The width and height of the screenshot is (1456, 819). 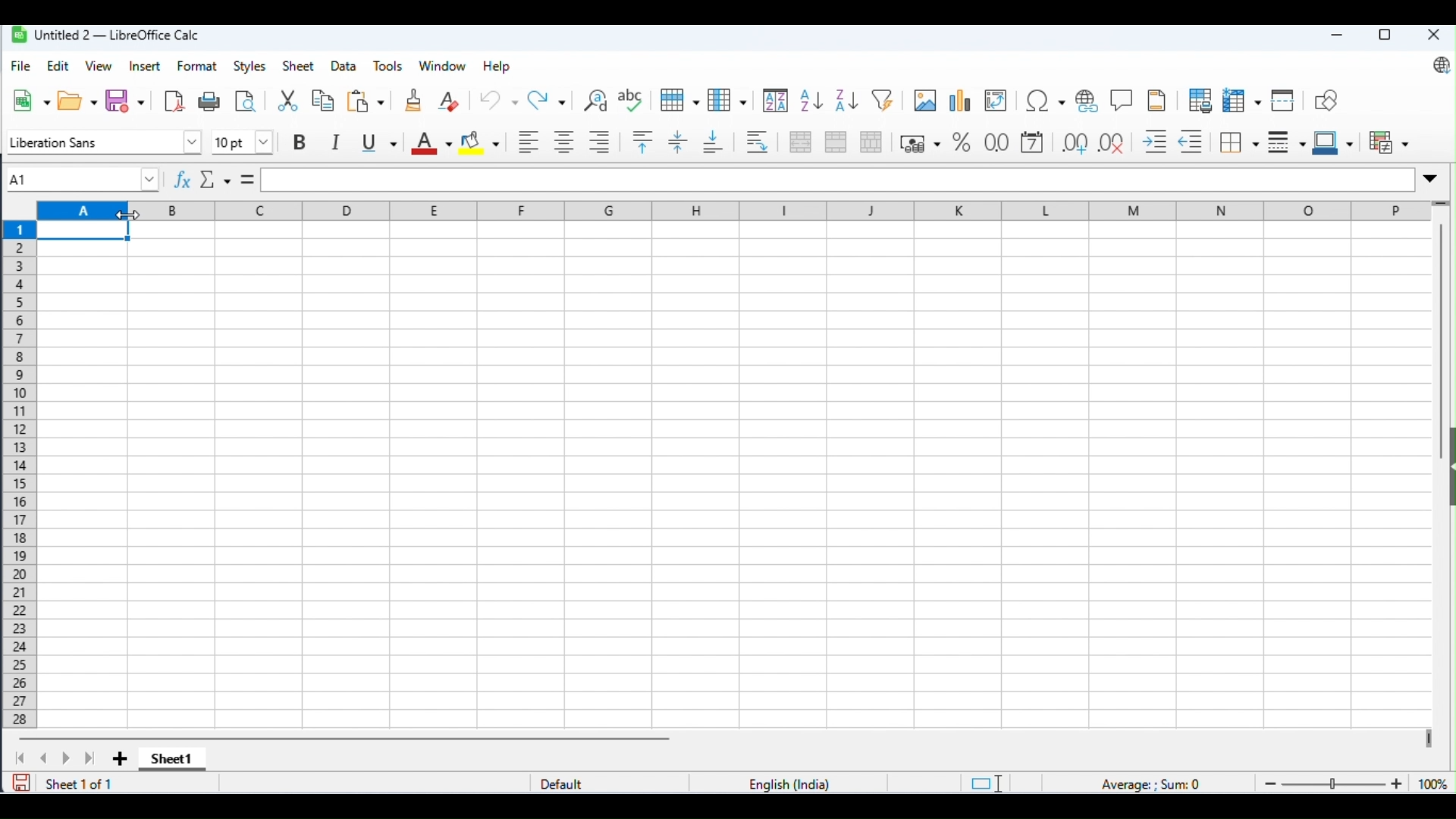 What do you see at coordinates (215, 178) in the screenshot?
I see `select function` at bounding box center [215, 178].